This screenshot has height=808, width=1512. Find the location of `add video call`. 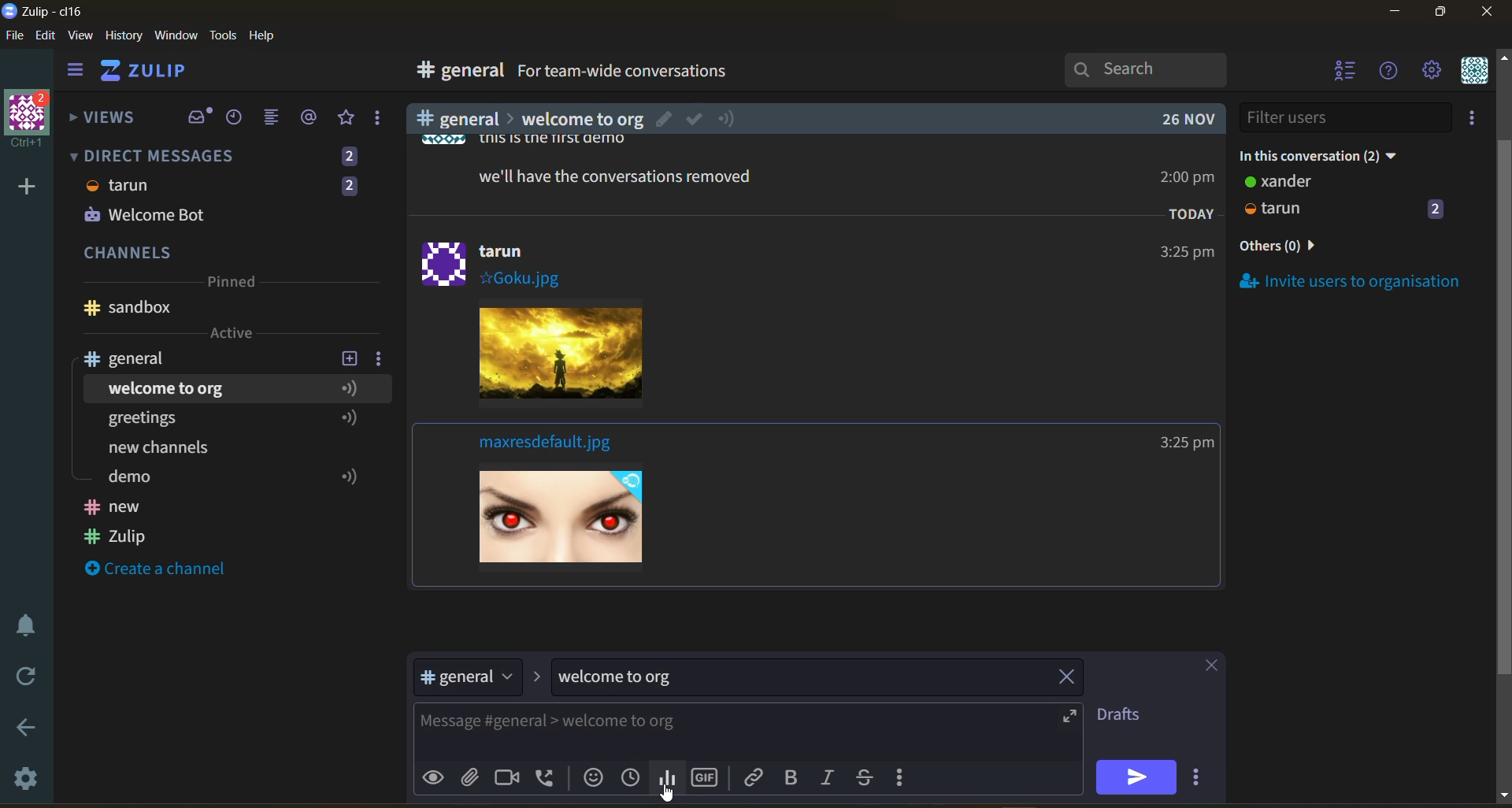

add video call is located at coordinates (506, 780).